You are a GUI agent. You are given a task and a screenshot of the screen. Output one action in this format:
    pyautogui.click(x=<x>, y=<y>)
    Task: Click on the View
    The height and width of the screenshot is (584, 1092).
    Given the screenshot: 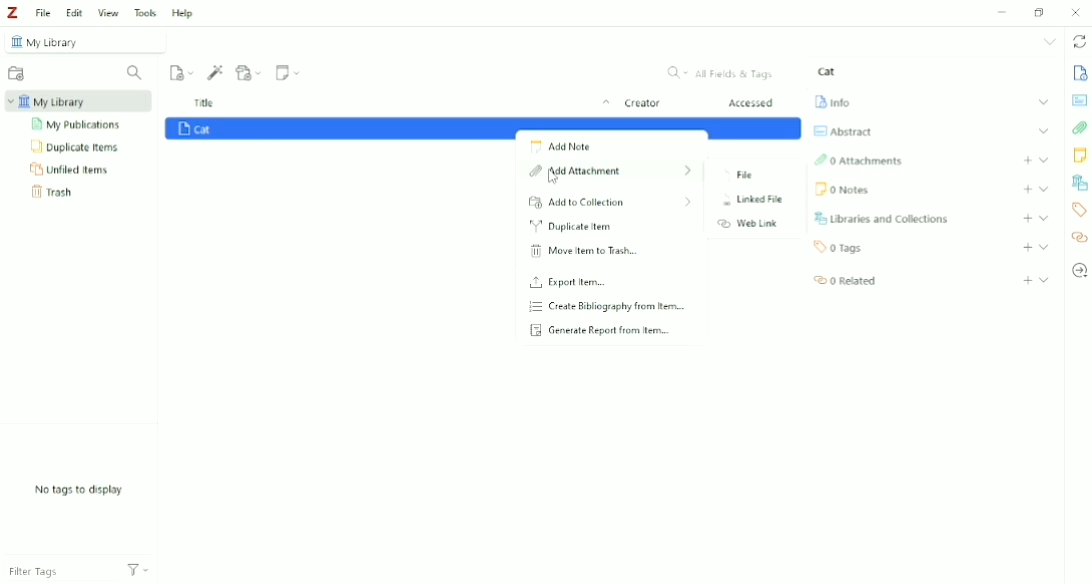 What is the action you would take?
    pyautogui.click(x=109, y=12)
    